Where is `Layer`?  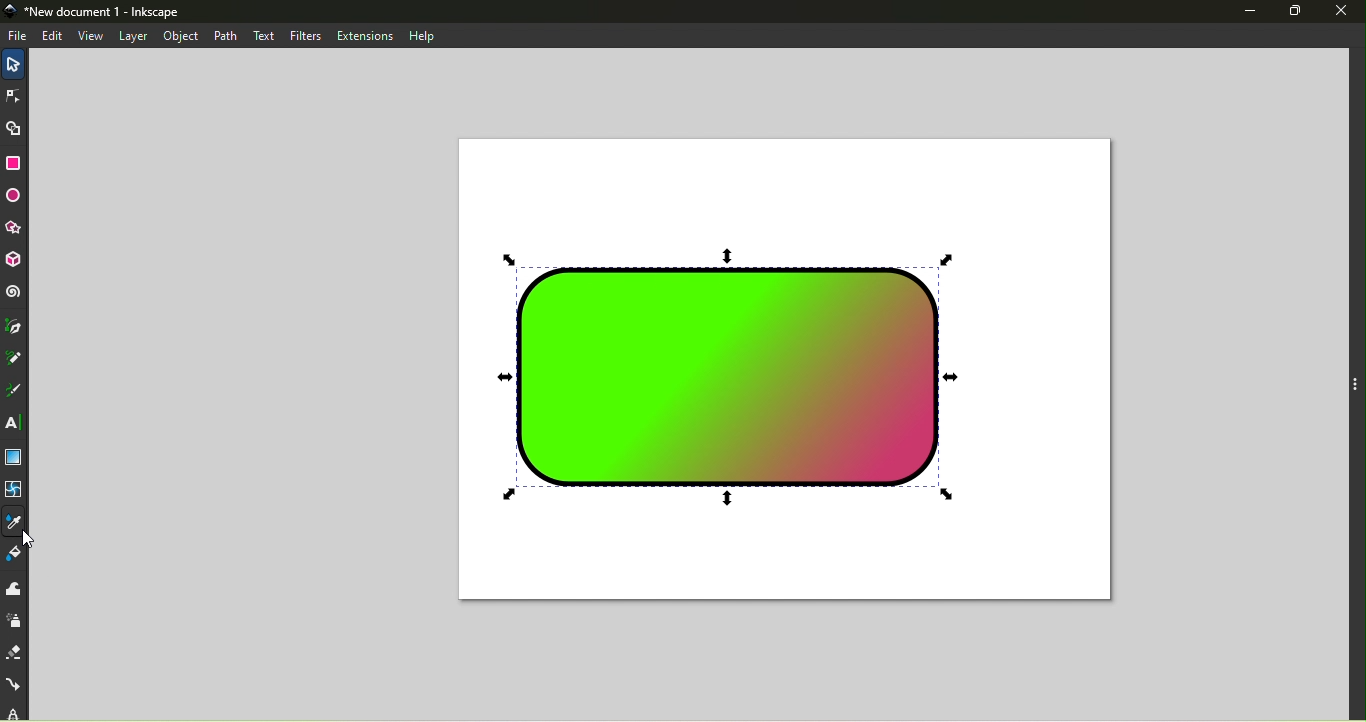 Layer is located at coordinates (134, 37).